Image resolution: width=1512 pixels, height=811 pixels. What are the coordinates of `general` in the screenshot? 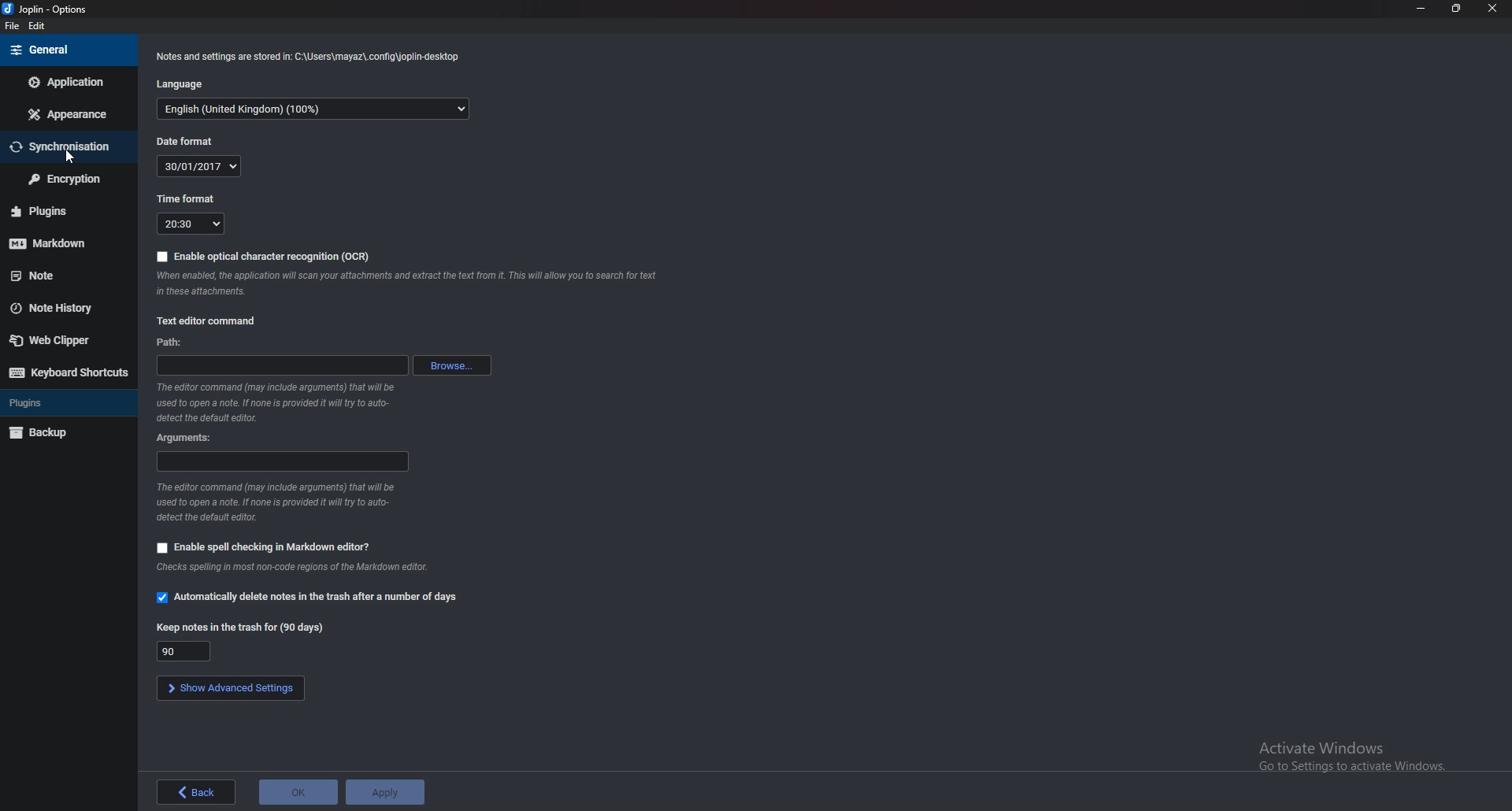 It's located at (72, 50).